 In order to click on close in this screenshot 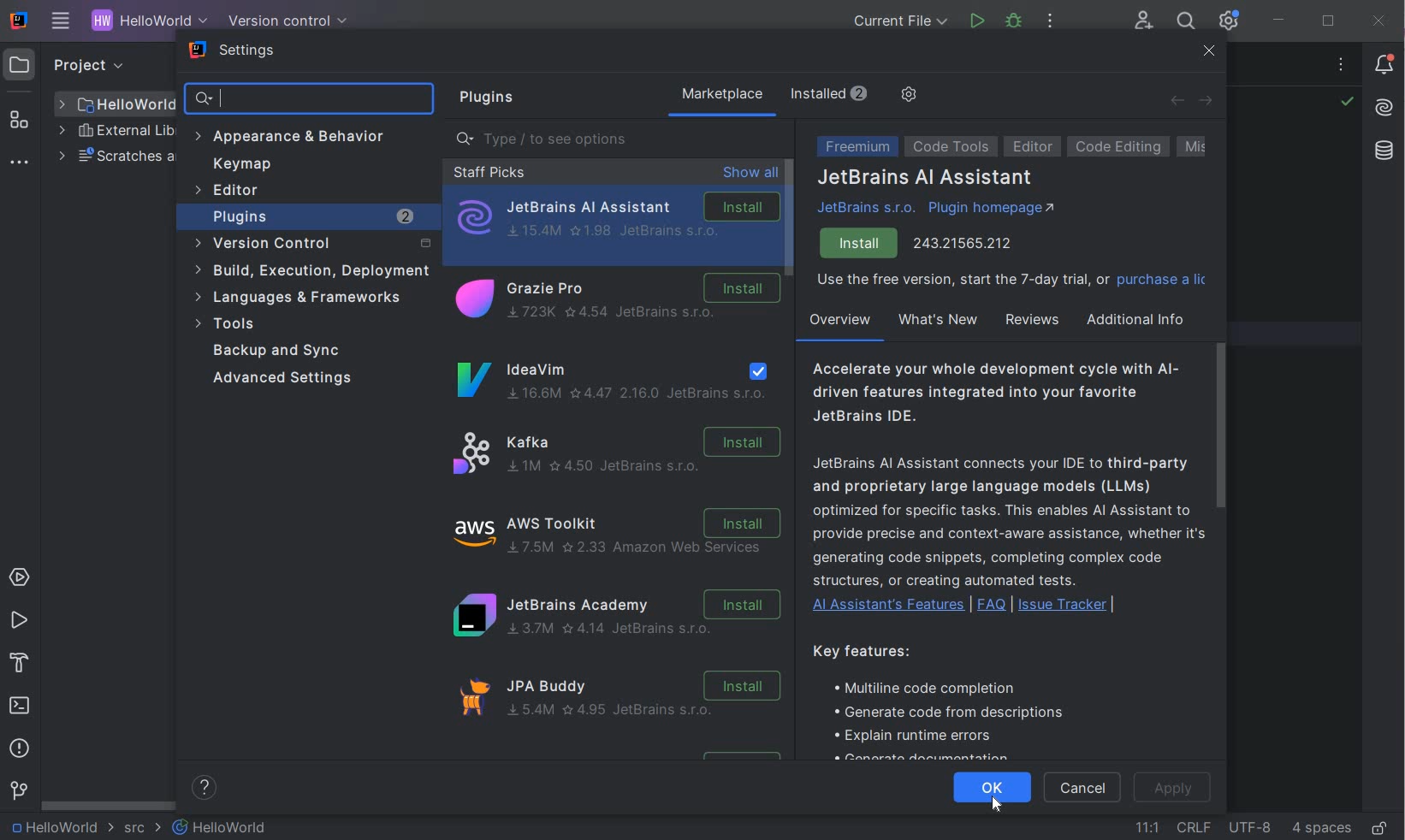, I will do `click(1210, 53)`.